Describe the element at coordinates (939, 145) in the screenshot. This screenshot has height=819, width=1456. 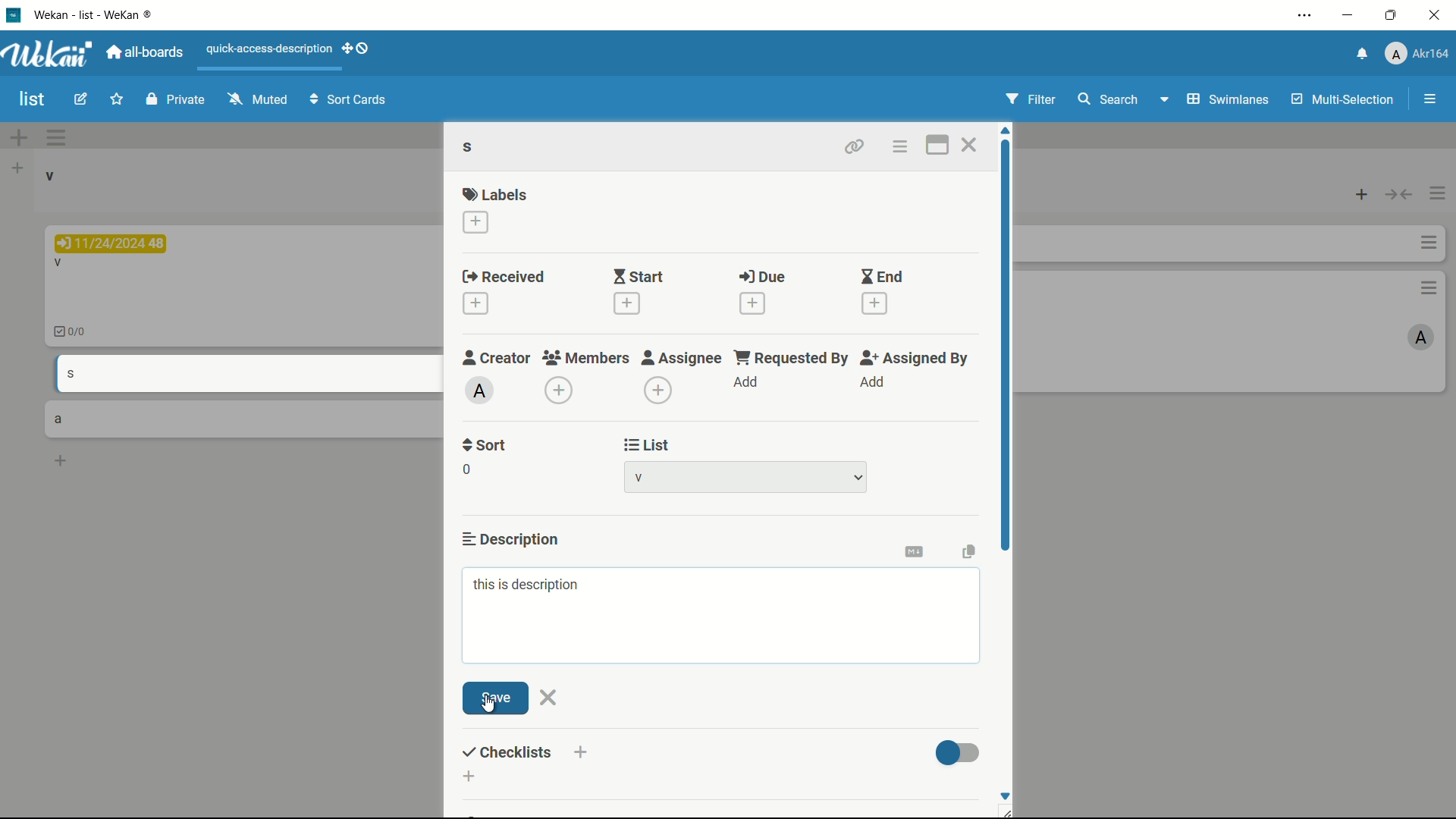
I see `maximize card` at that location.